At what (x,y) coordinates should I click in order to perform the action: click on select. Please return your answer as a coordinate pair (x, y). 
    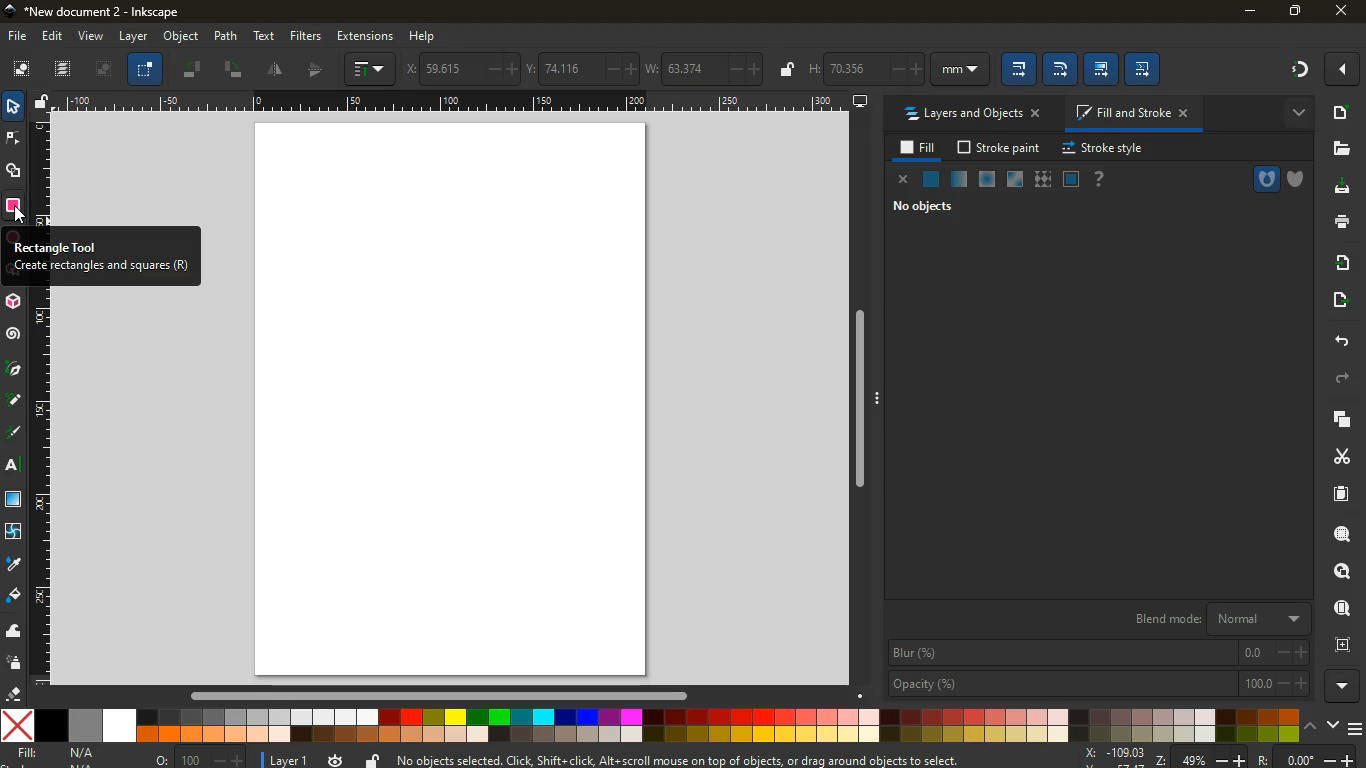
    Looking at the image, I should click on (146, 70).